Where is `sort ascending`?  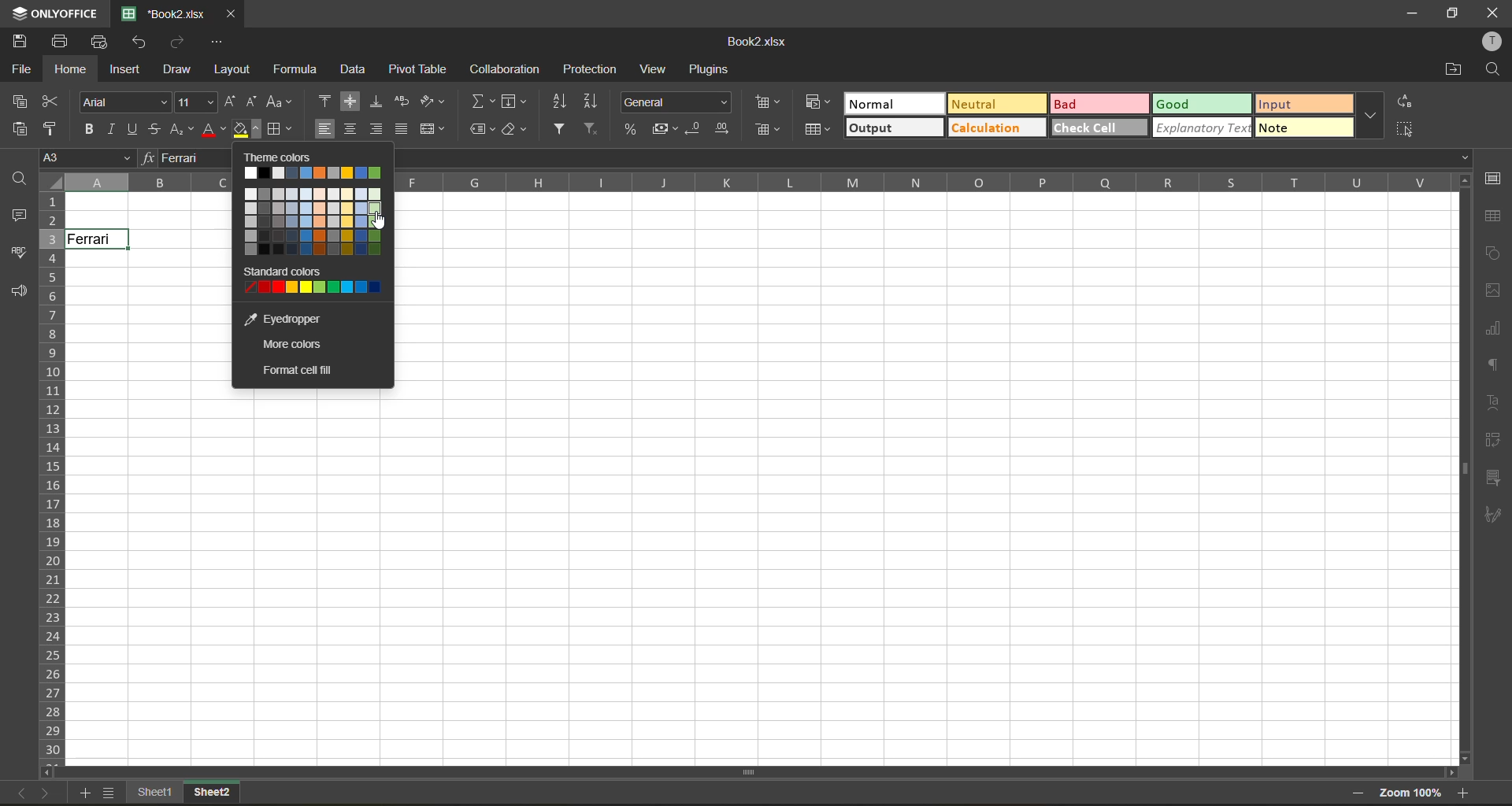
sort ascending is located at coordinates (562, 102).